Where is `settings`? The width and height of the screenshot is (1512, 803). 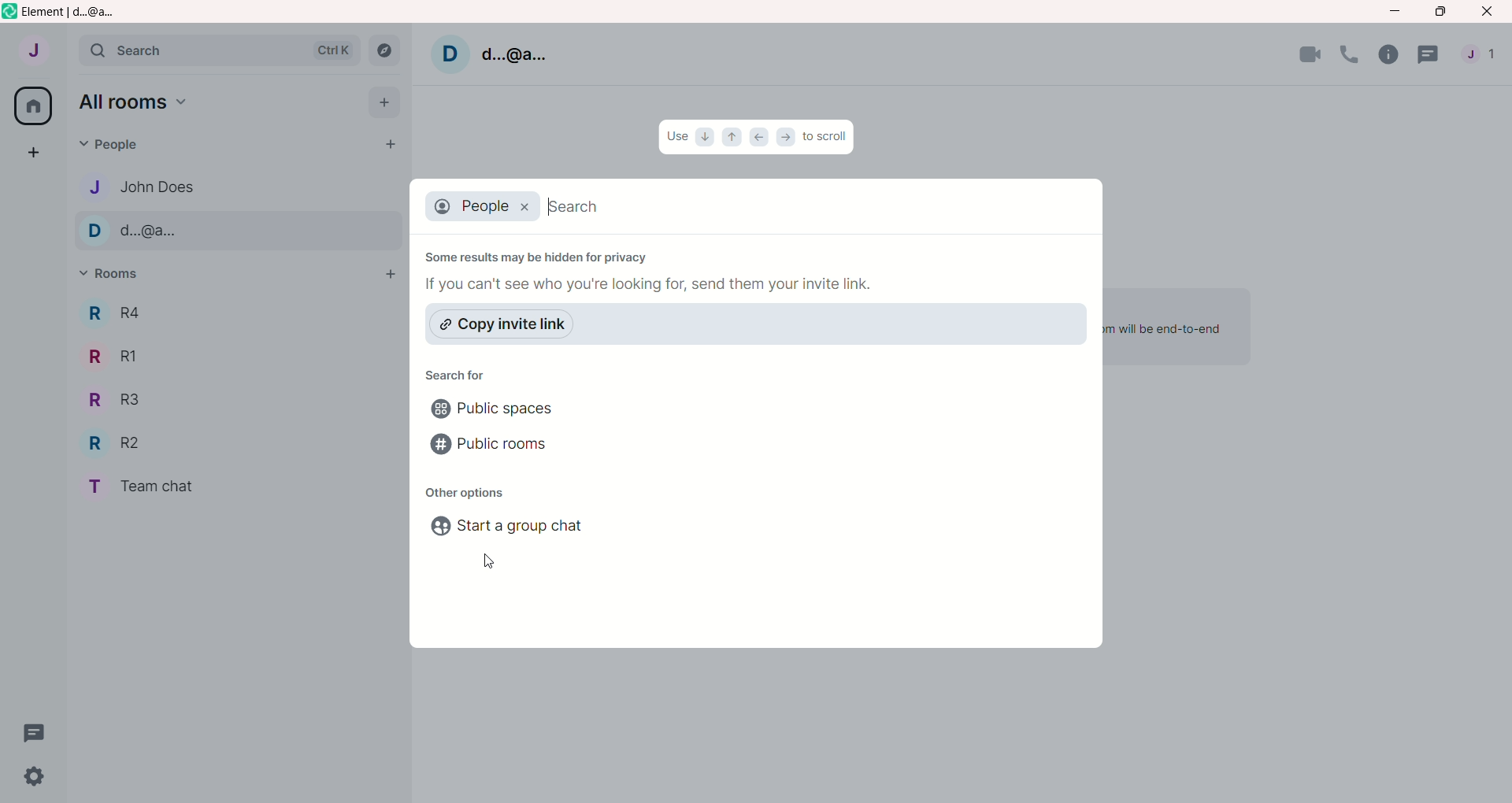
settings is located at coordinates (28, 779).